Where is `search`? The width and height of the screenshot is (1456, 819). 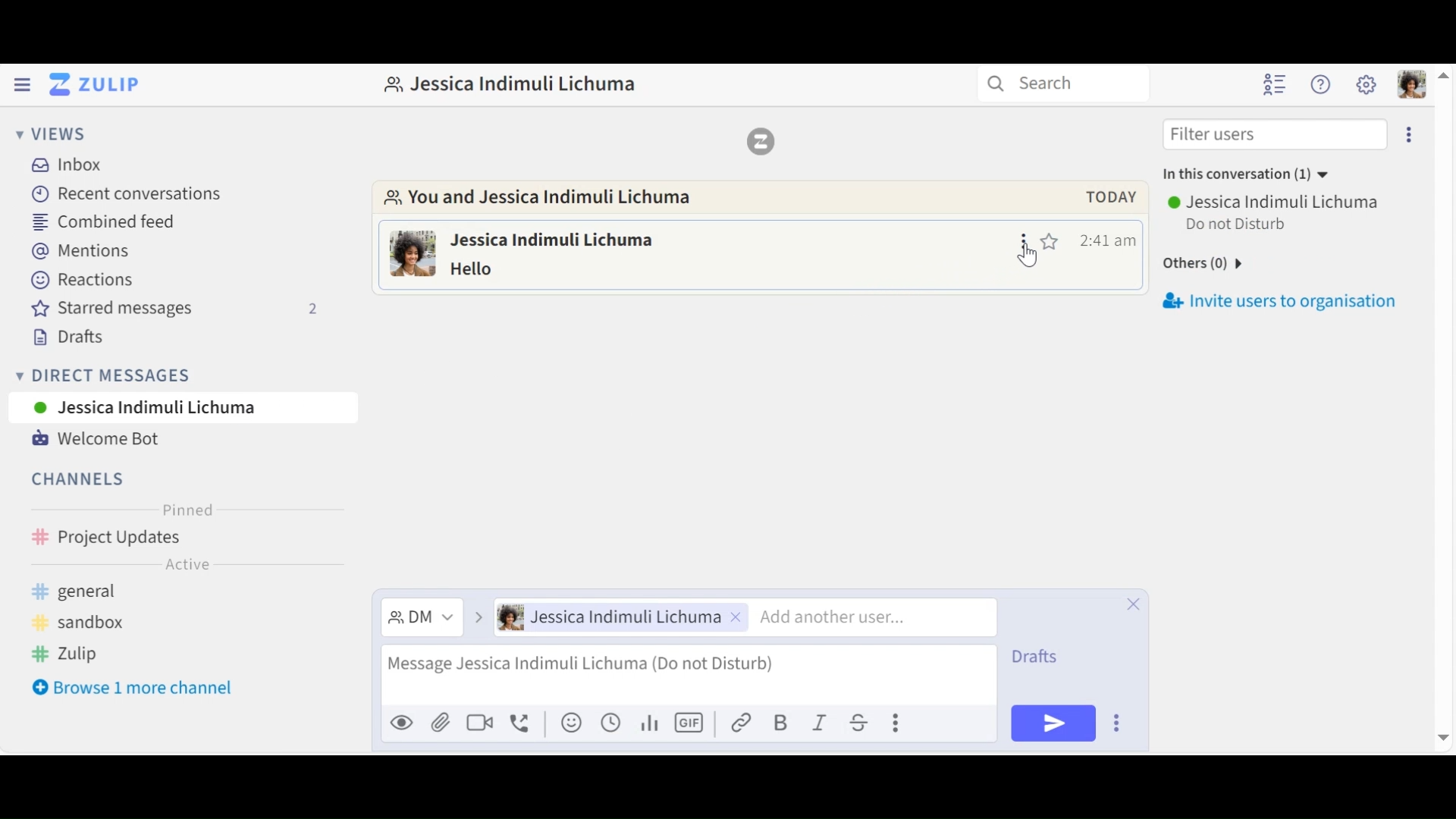
search is located at coordinates (1061, 84).